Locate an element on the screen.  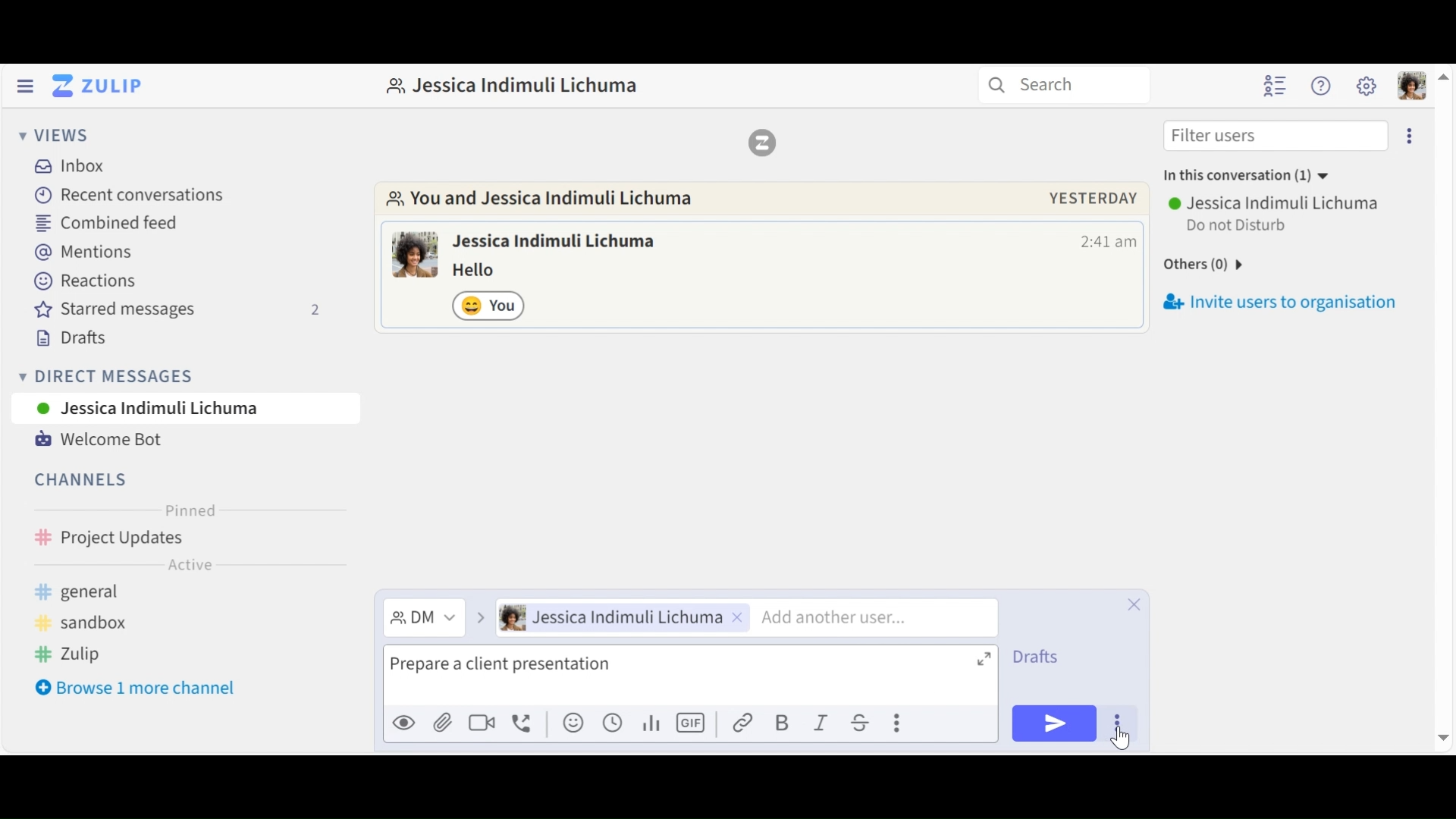
Add global time is located at coordinates (611, 723).